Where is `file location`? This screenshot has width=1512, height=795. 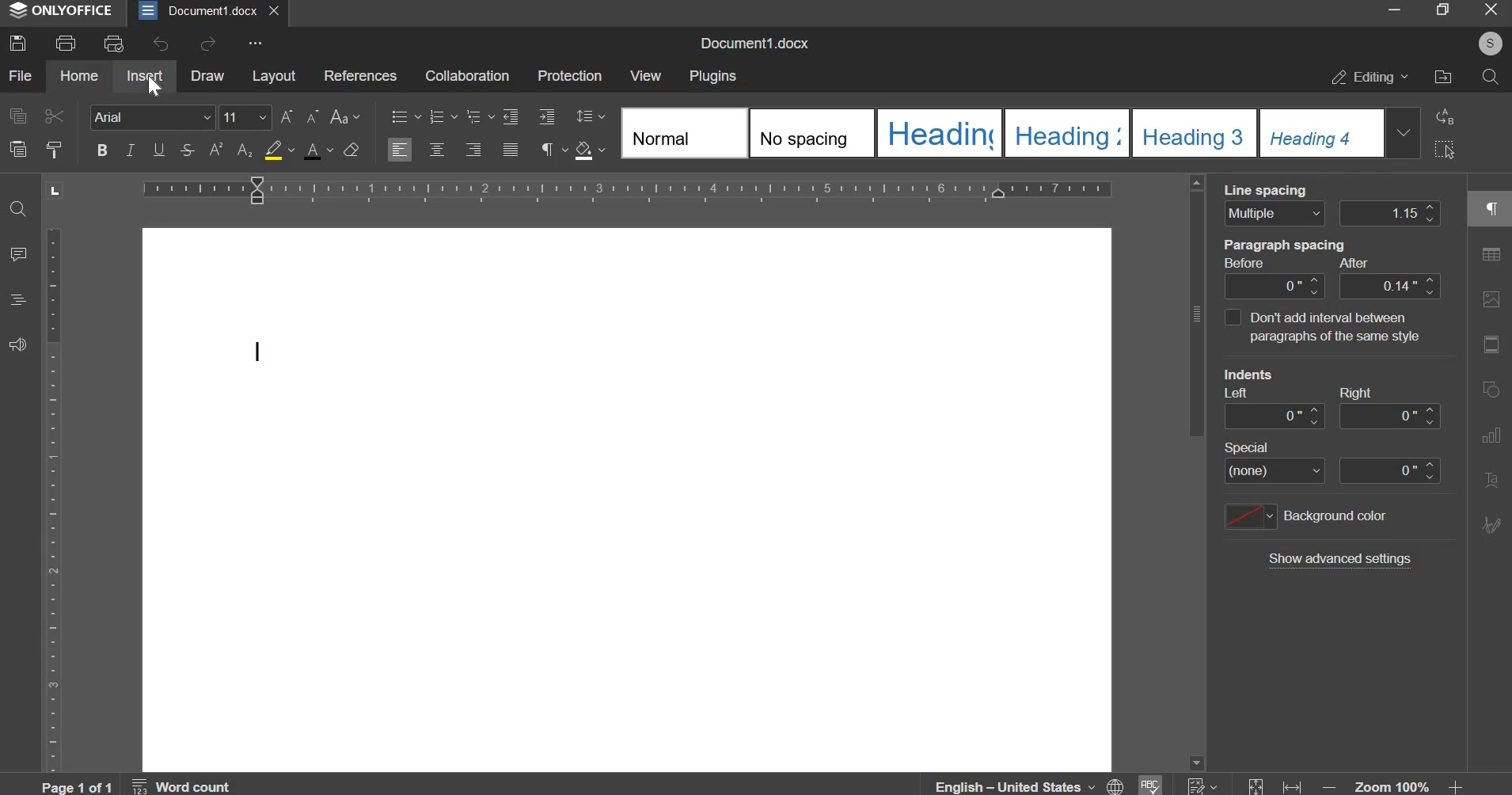
file location is located at coordinates (1442, 77).